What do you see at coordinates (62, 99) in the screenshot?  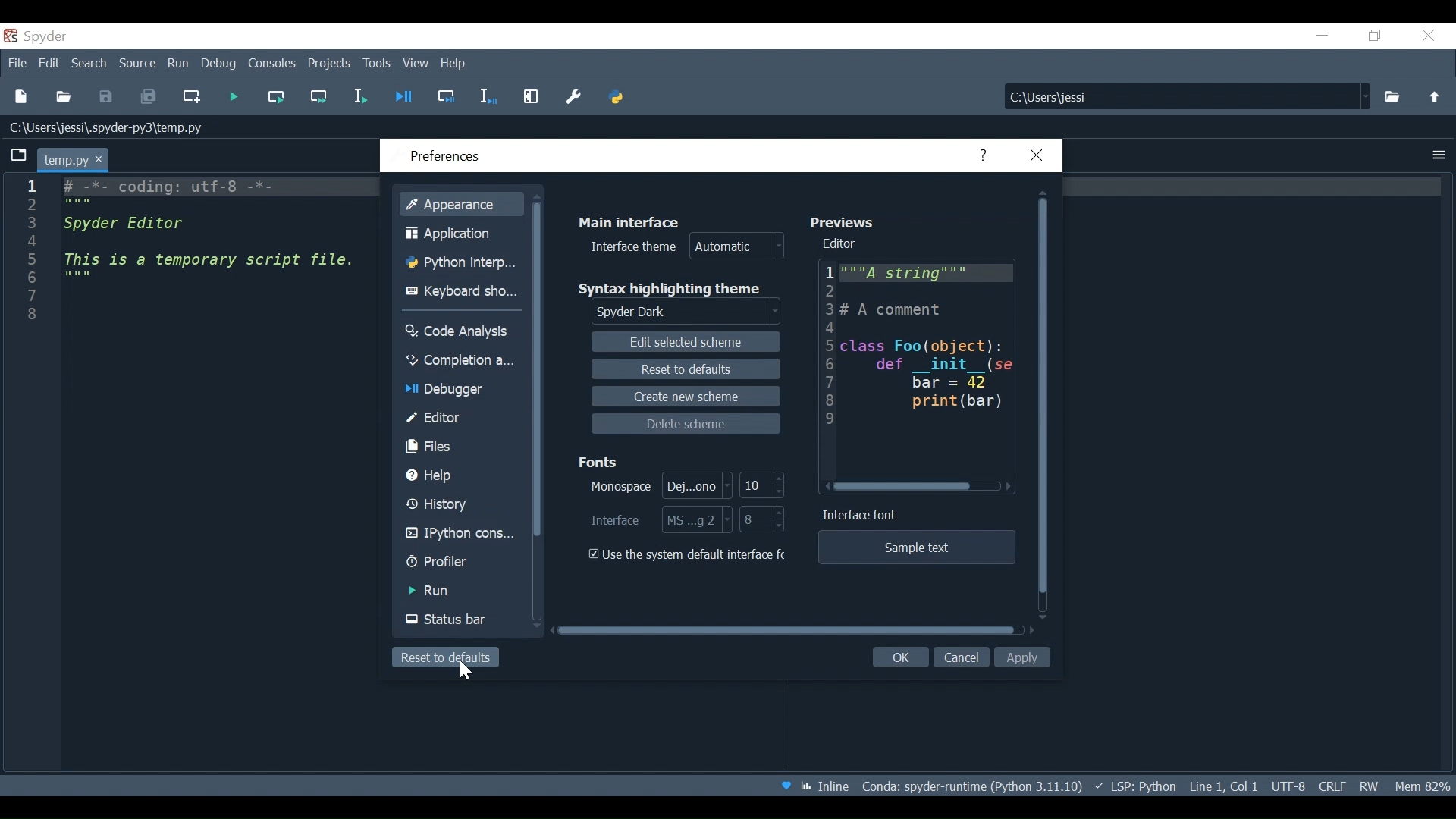 I see `Open File` at bounding box center [62, 99].